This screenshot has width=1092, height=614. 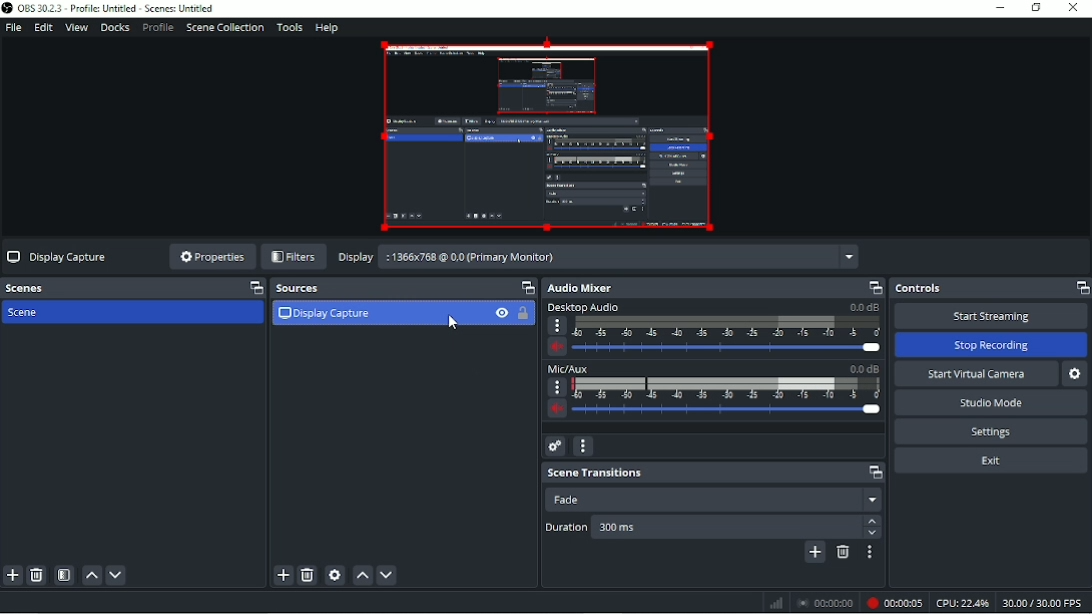 What do you see at coordinates (815, 552) in the screenshot?
I see `Add configurable transition` at bounding box center [815, 552].